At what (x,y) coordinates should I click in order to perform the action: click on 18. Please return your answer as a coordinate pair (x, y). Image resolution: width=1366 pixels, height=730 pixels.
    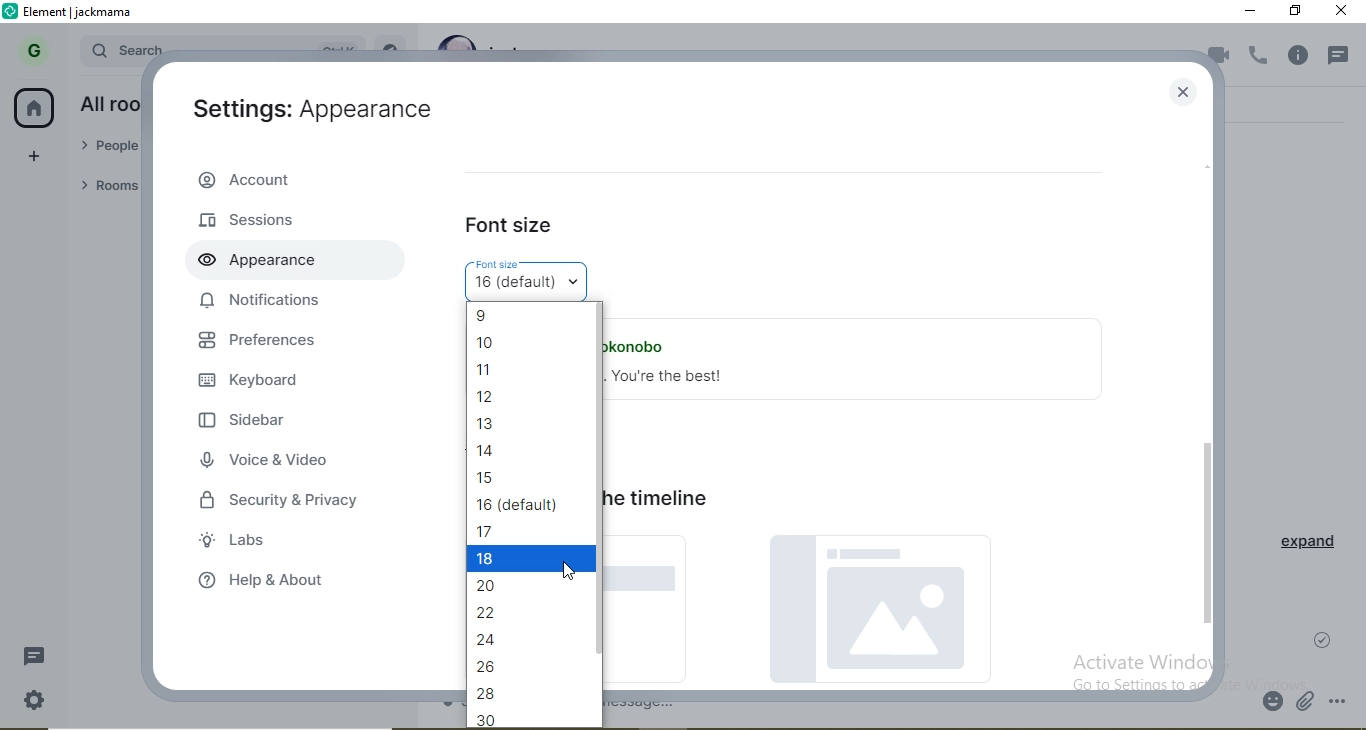
    Looking at the image, I should click on (520, 560).